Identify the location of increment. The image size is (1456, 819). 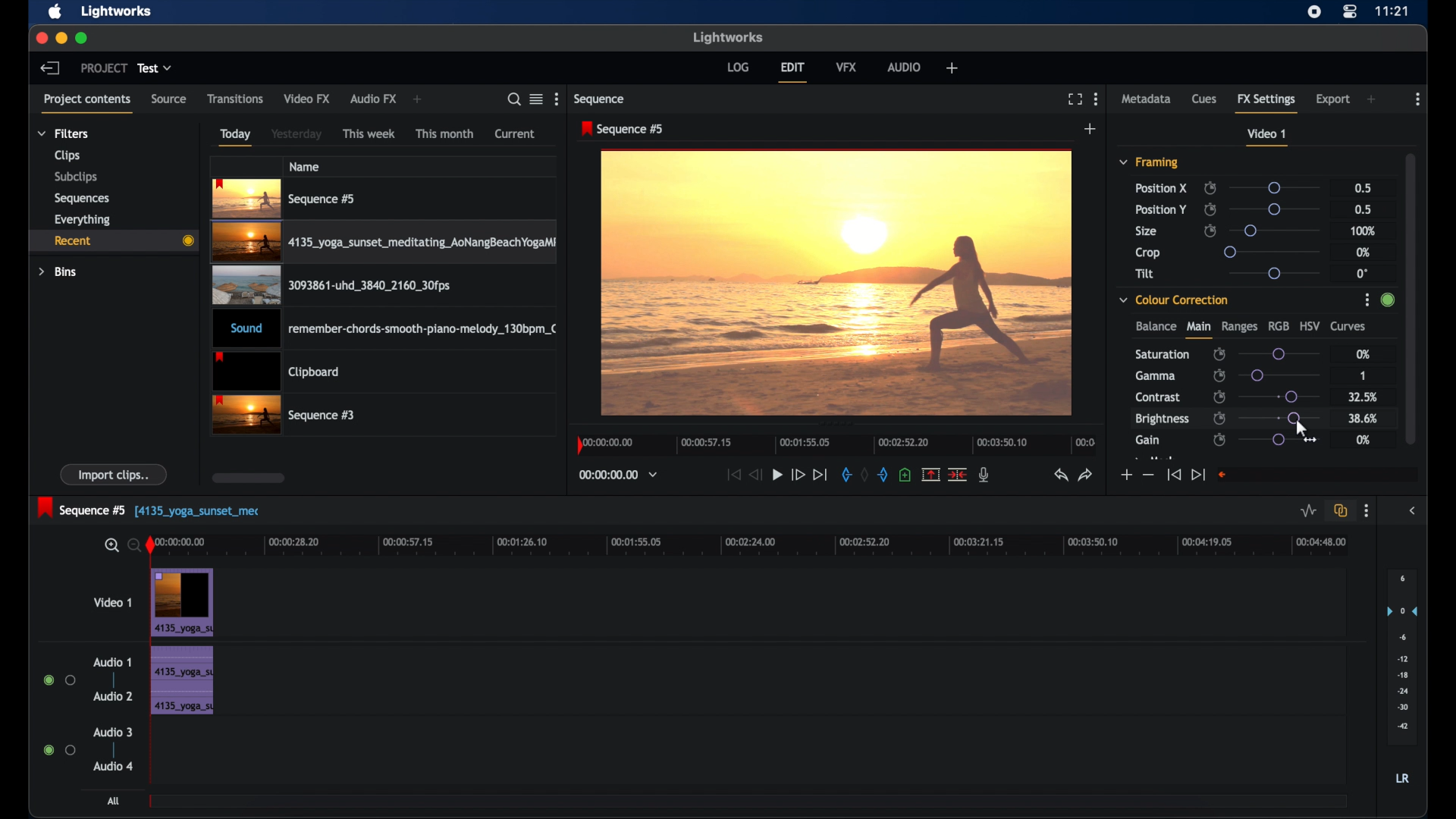
(1125, 475).